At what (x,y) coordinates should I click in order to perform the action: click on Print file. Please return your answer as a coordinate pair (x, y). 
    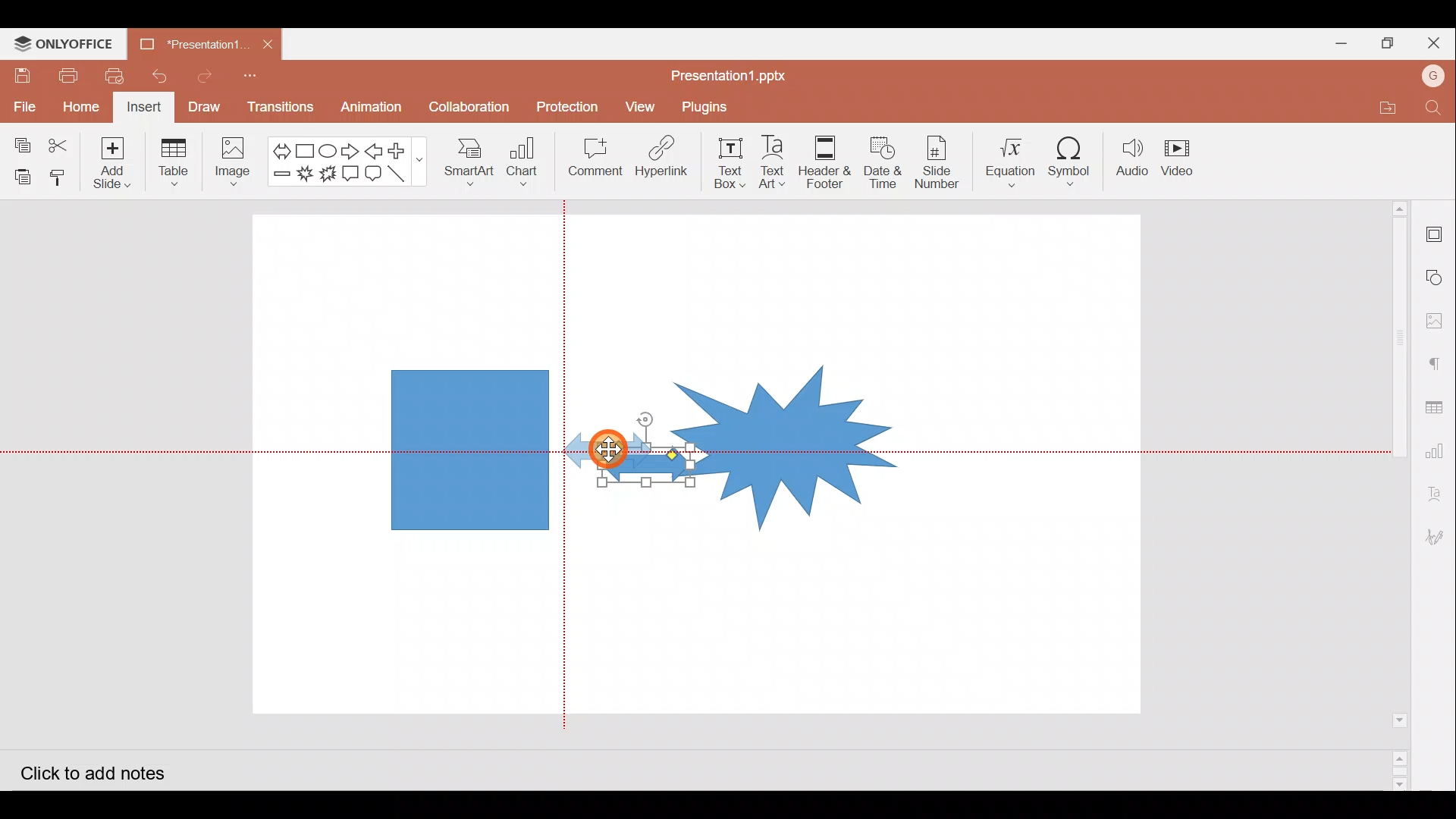
    Looking at the image, I should click on (65, 75).